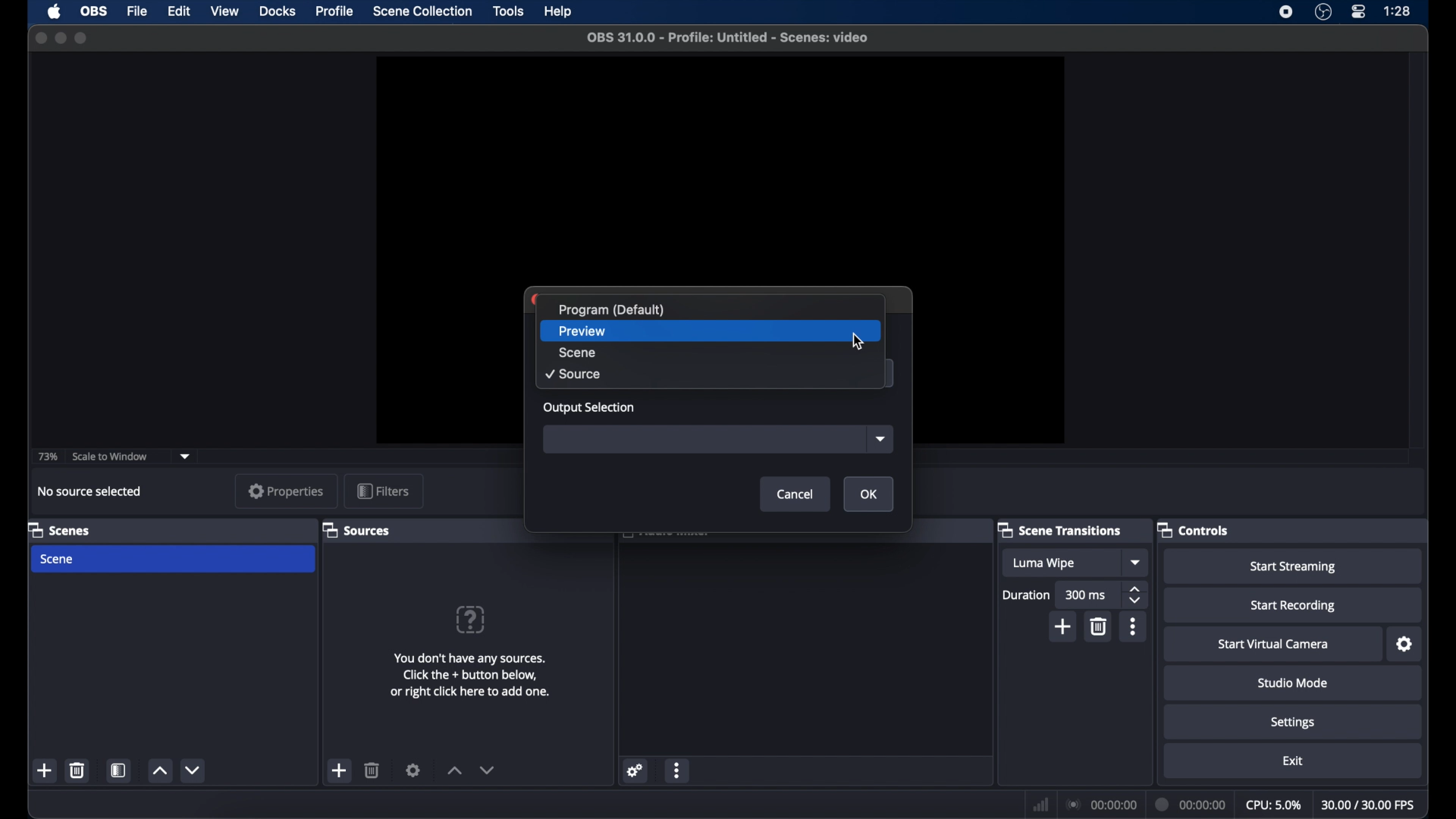 Image resolution: width=1456 pixels, height=819 pixels. Describe the element at coordinates (706, 440) in the screenshot. I see `Input box` at that location.